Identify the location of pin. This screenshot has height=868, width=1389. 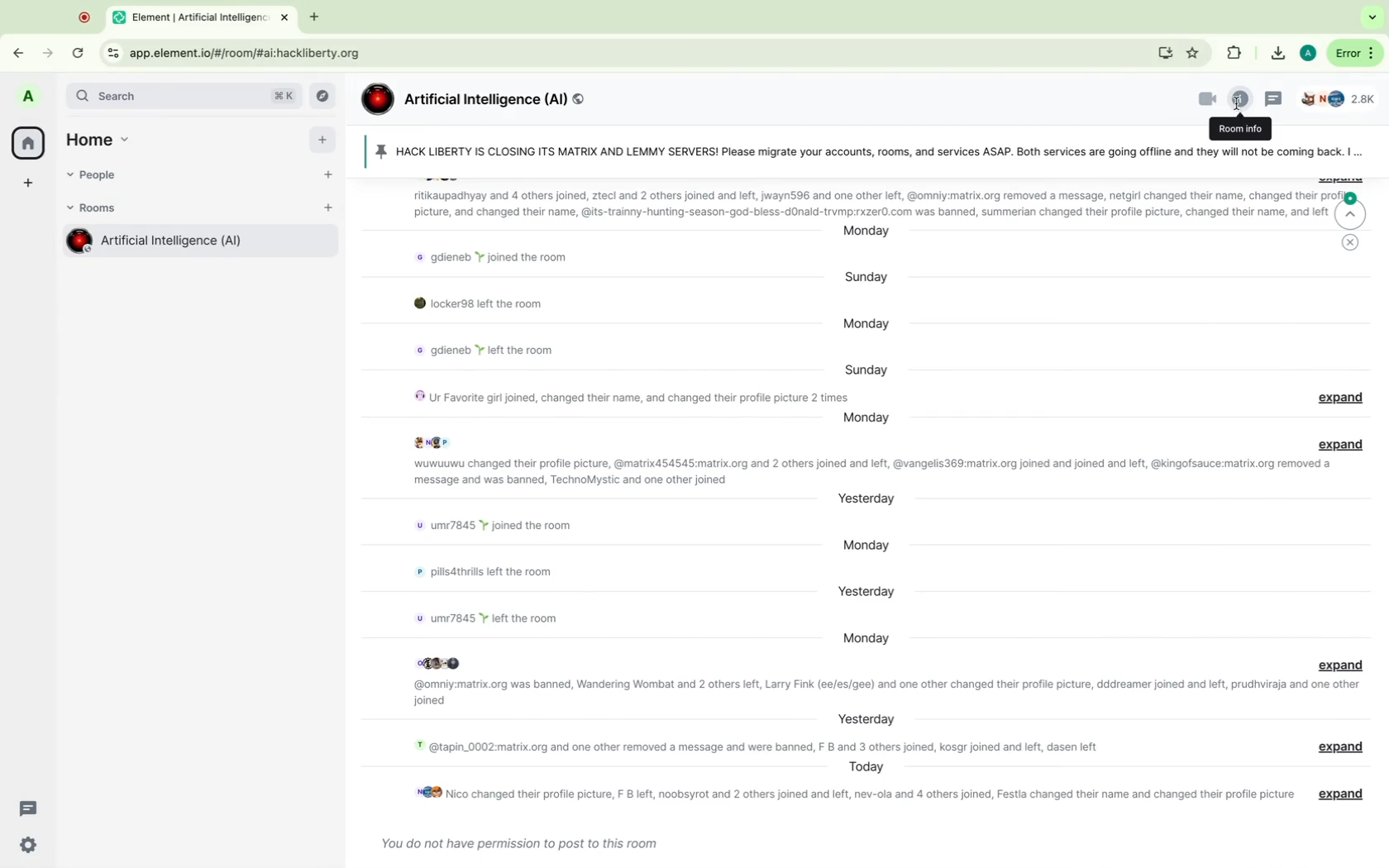
(862, 153).